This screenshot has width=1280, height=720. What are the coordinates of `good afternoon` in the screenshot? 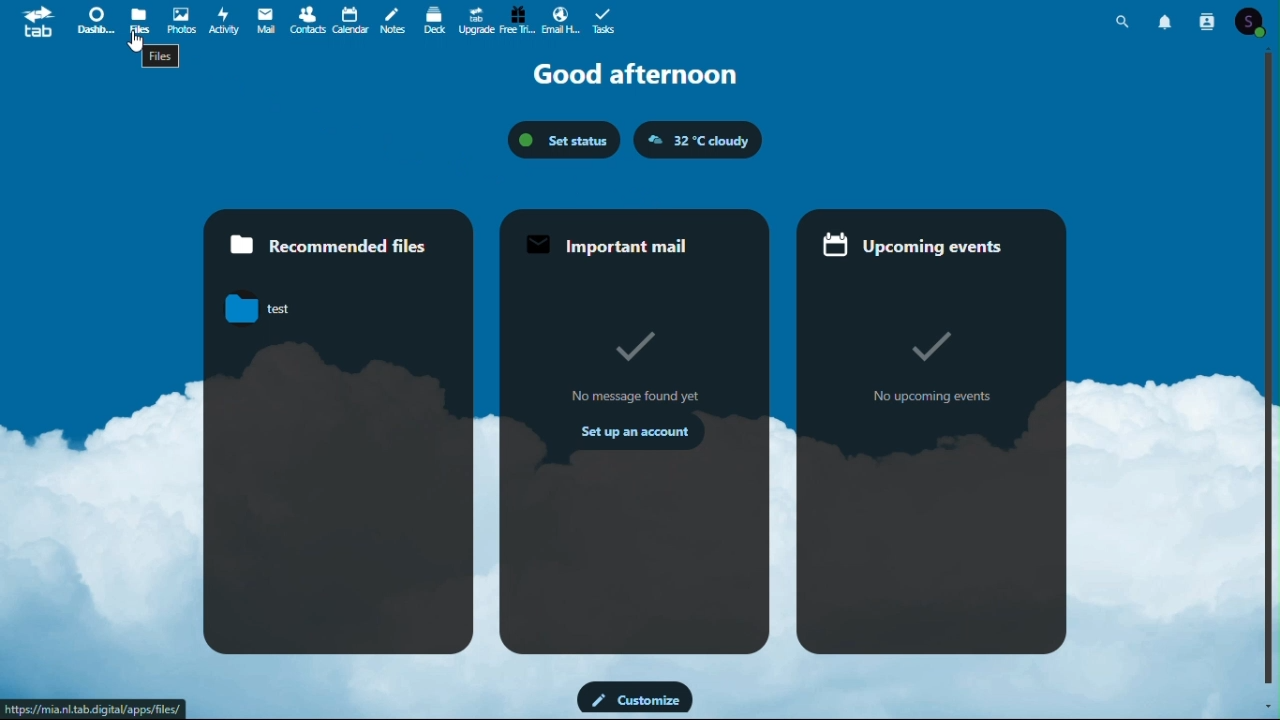 It's located at (639, 75).